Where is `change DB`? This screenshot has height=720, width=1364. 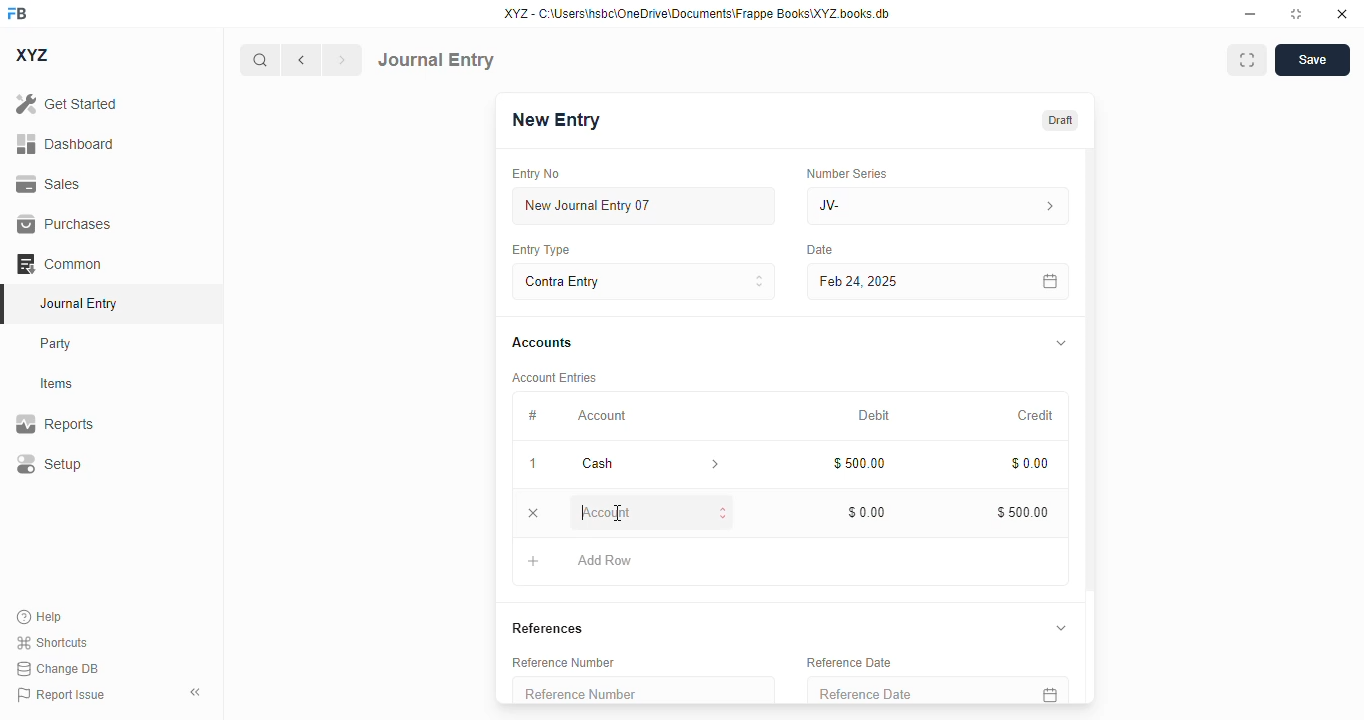
change DB is located at coordinates (57, 668).